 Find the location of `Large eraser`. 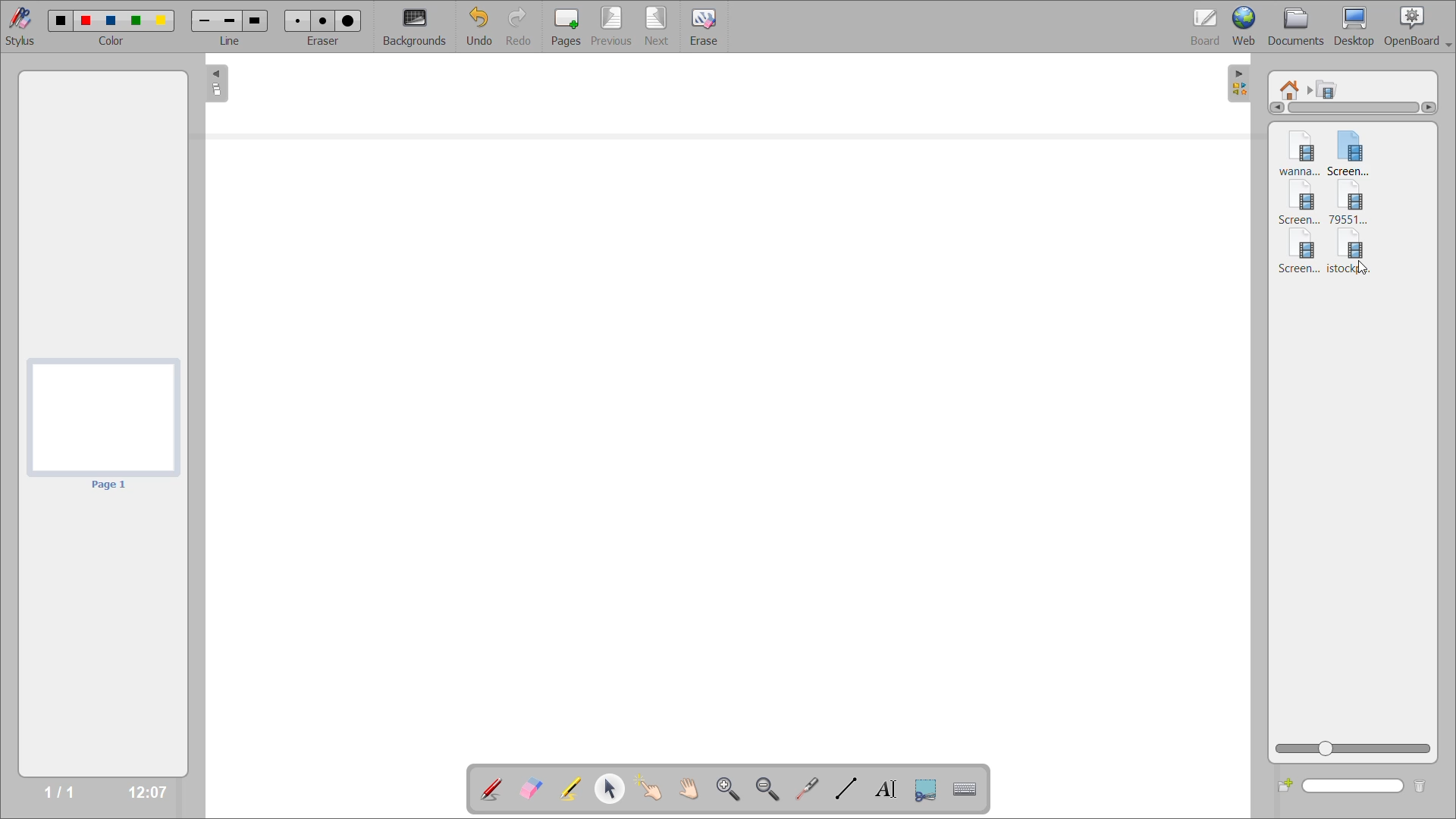

Large eraser is located at coordinates (348, 20).